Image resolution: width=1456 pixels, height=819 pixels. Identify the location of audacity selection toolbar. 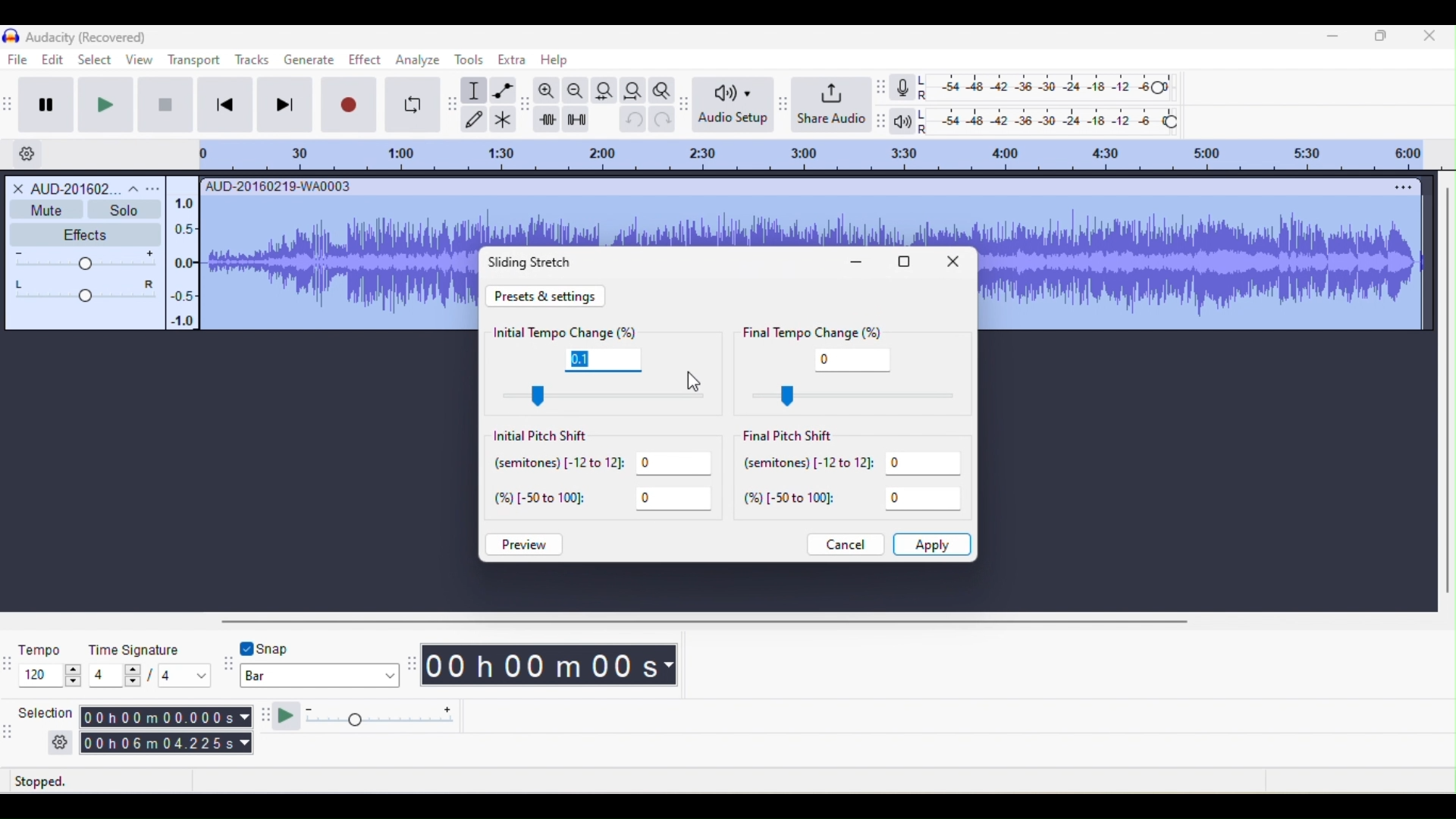
(9, 730).